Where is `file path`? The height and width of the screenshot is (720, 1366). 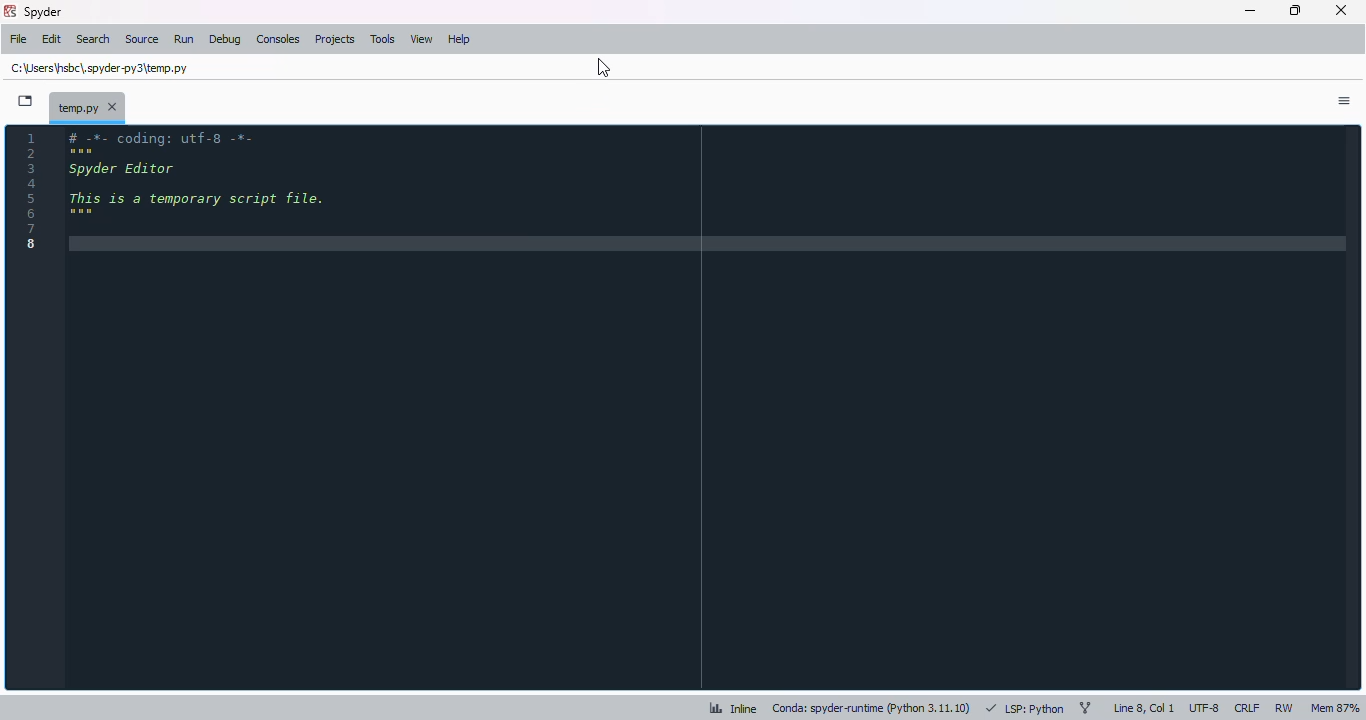 file path is located at coordinates (110, 68).